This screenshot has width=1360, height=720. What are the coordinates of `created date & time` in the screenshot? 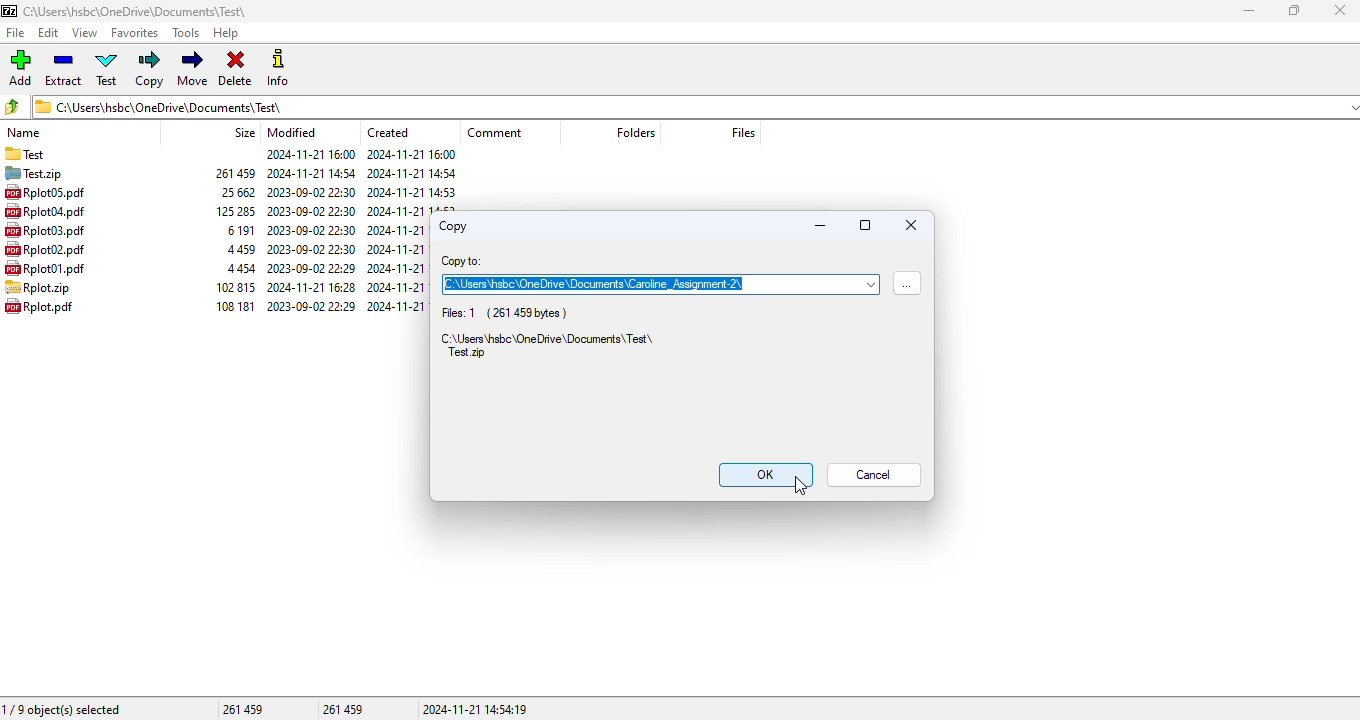 It's located at (397, 268).